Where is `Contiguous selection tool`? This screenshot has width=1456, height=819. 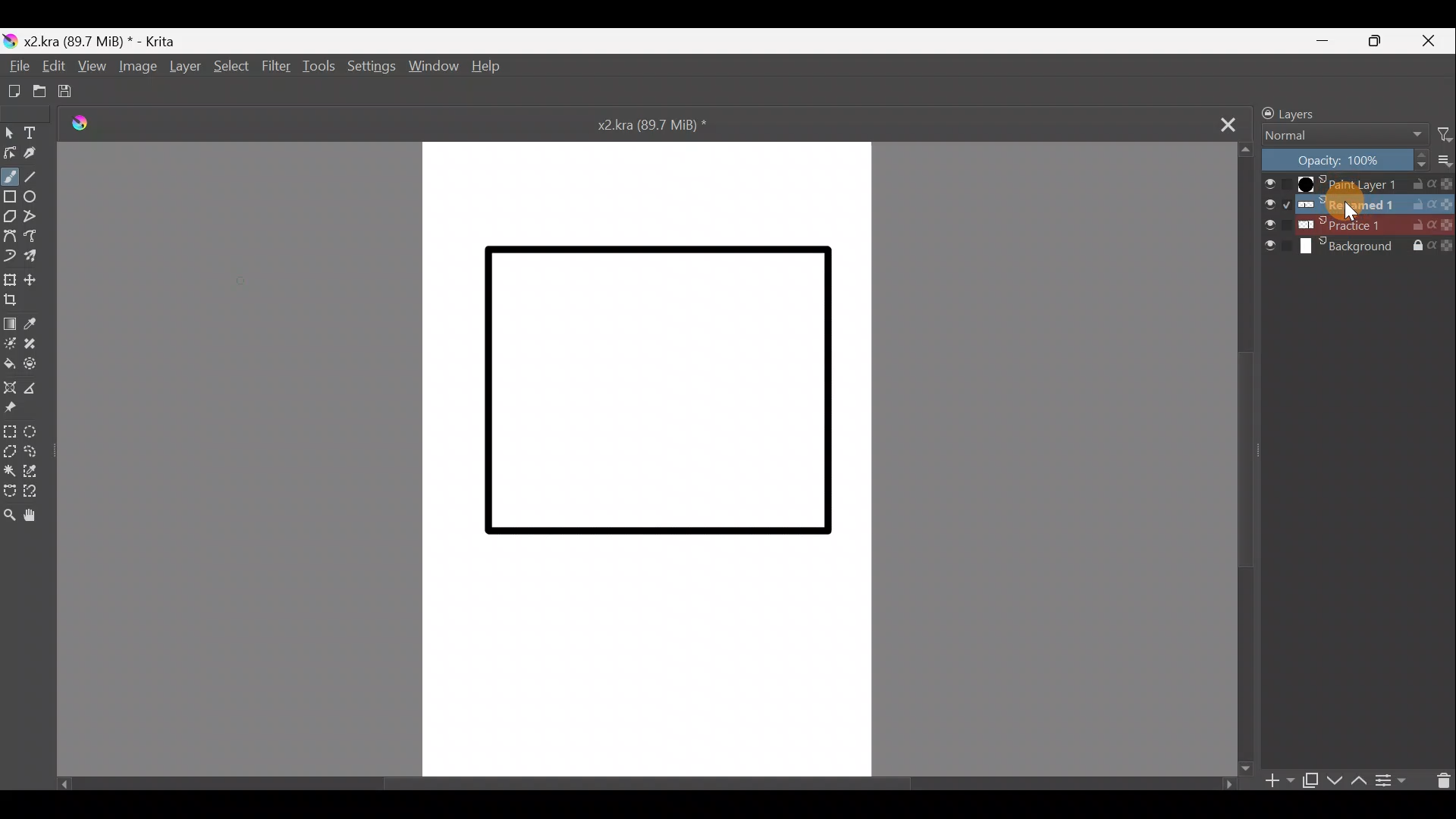 Contiguous selection tool is located at coordinates (11, 469).